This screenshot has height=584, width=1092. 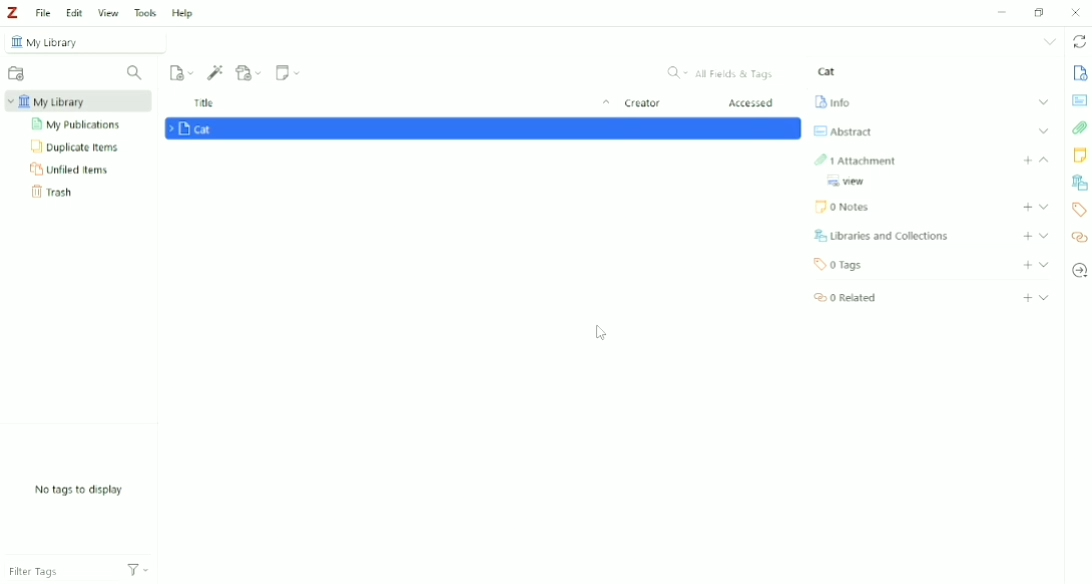 I want to click on Expand section, so click(x=1045, y=130).